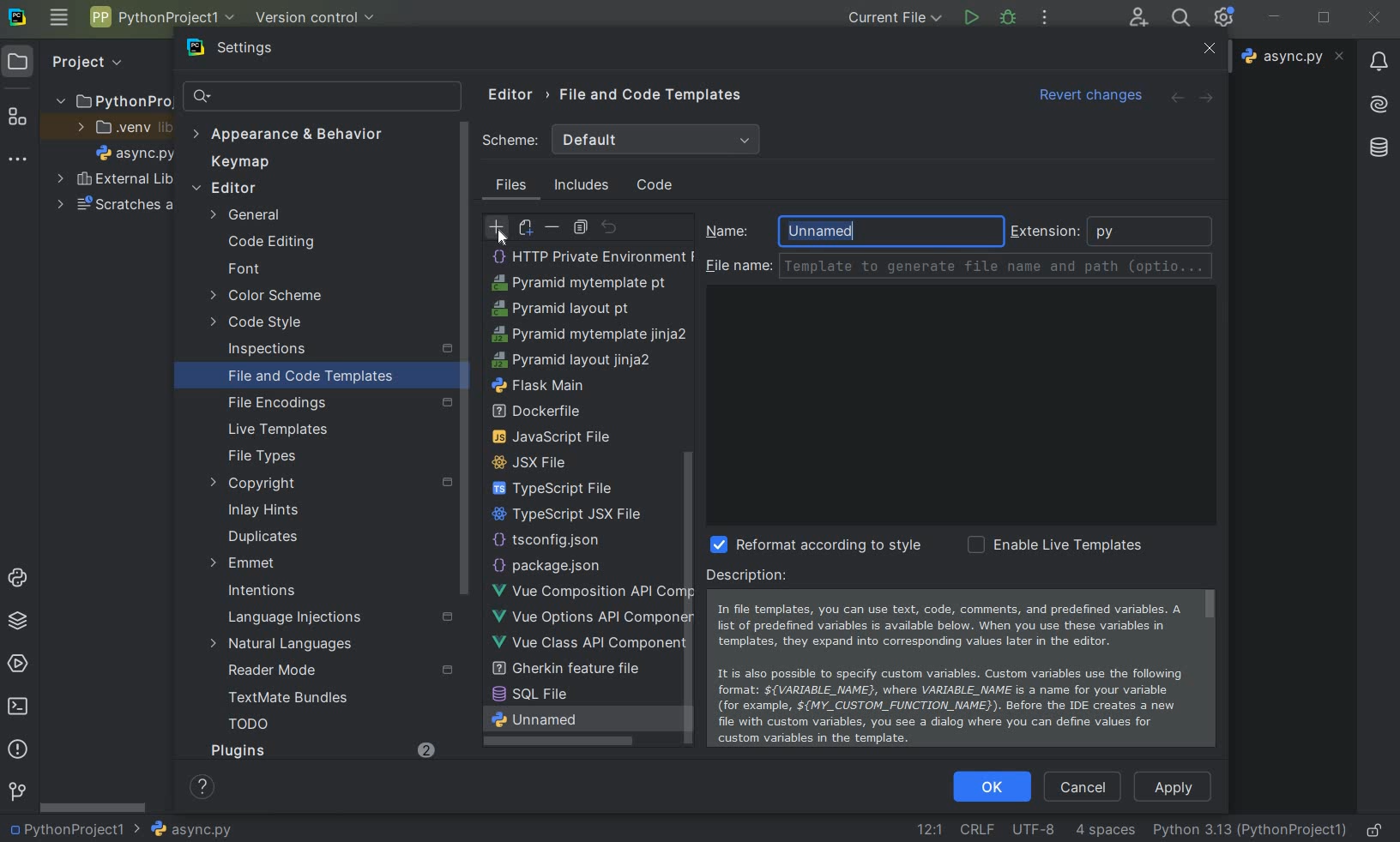 This screenshot has height=842, width=1400. Describe the element at coordinates (60, 18) in the screenshot. I see `main menu` at that location.